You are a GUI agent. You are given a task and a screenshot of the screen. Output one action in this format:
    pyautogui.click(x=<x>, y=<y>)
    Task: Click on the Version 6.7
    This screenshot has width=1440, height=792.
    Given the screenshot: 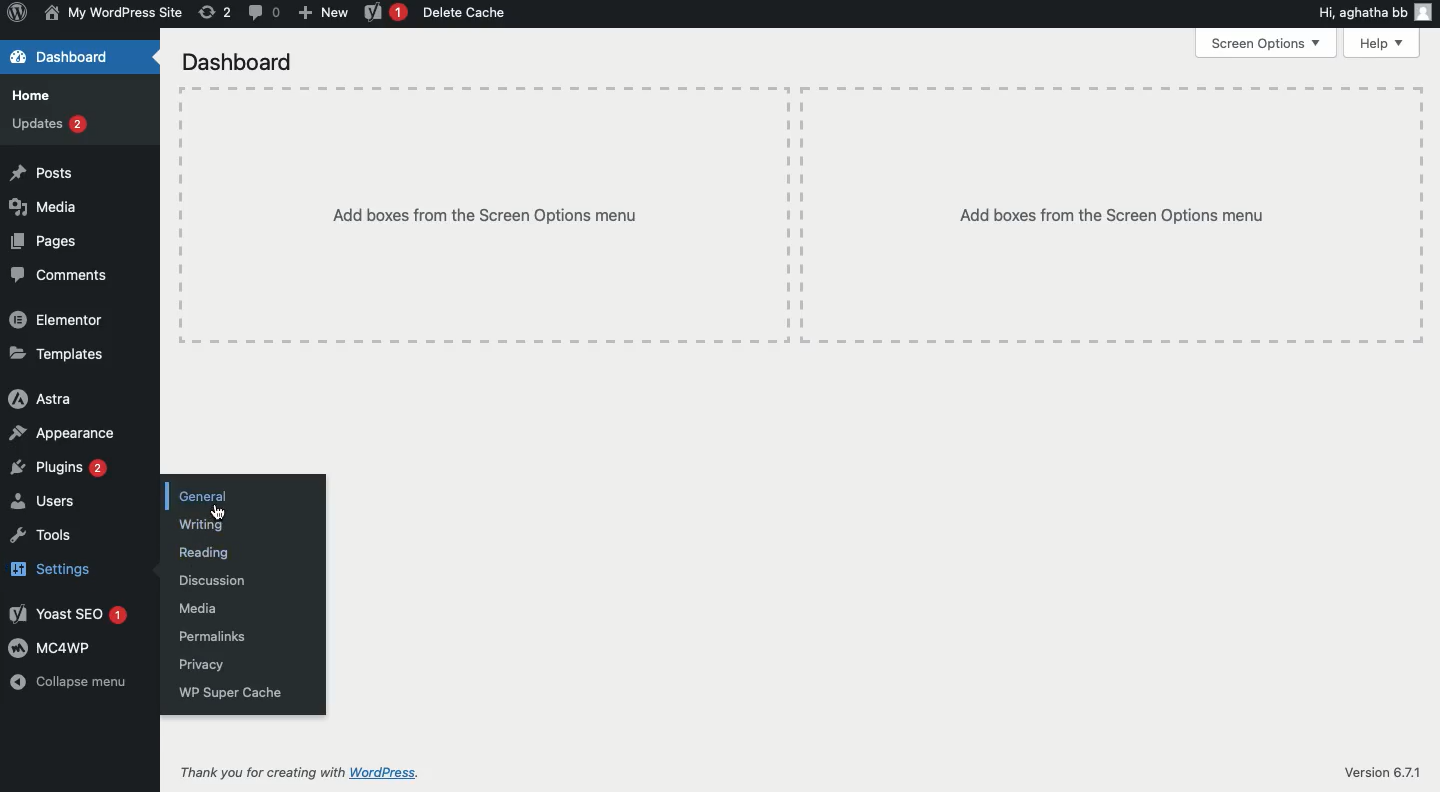 What is the action you would take?
    pyautogui.click(x=1377, y=770)
    